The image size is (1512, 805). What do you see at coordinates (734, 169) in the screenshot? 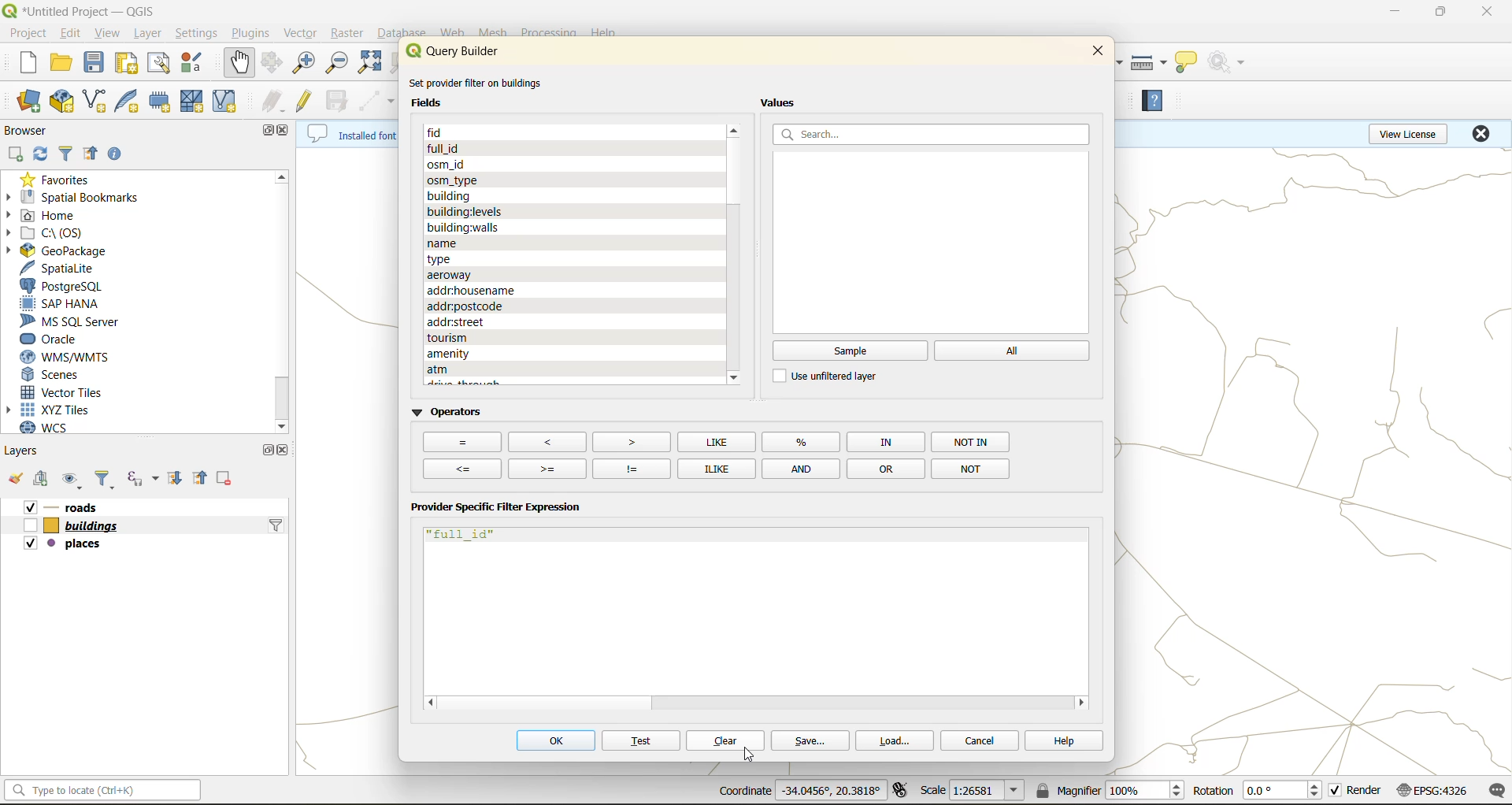
I see `scroll bar` at bounding box center [734, 169].